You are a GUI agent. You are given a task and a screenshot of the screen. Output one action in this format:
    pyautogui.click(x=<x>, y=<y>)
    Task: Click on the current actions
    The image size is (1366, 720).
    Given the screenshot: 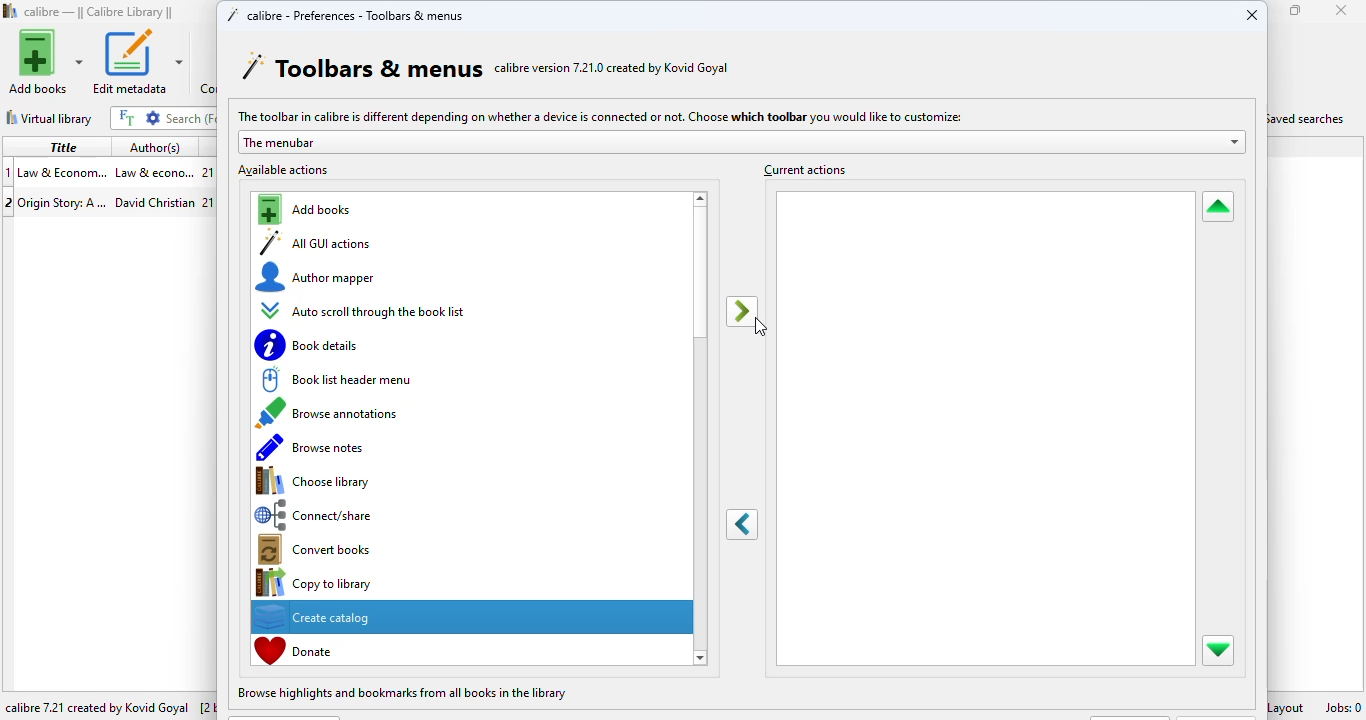 What is the action you would take?
    pyautogui.click(x=803, y=169)
    